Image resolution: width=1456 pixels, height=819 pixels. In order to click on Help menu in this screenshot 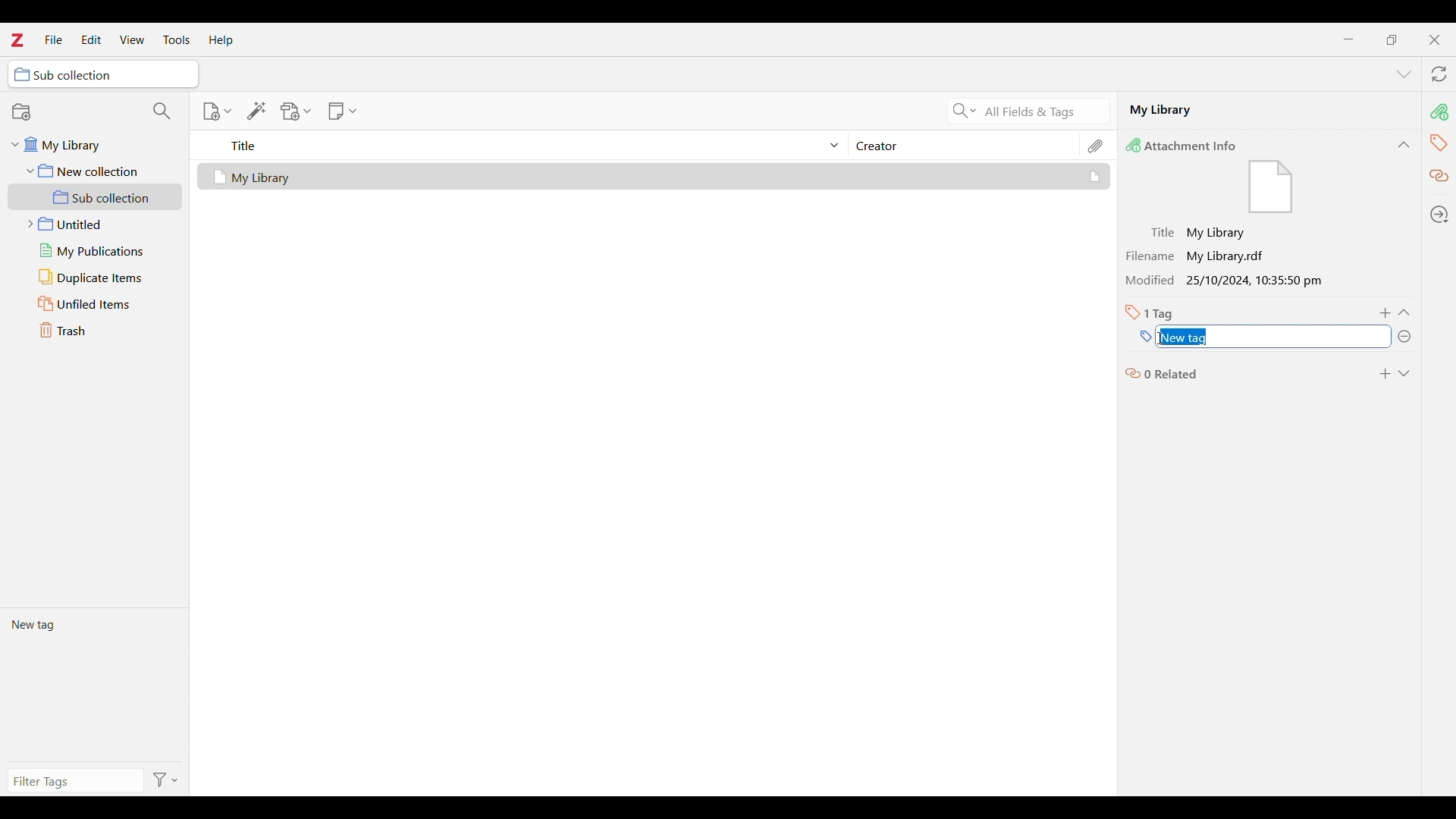, I will do `click(221, 40)`.